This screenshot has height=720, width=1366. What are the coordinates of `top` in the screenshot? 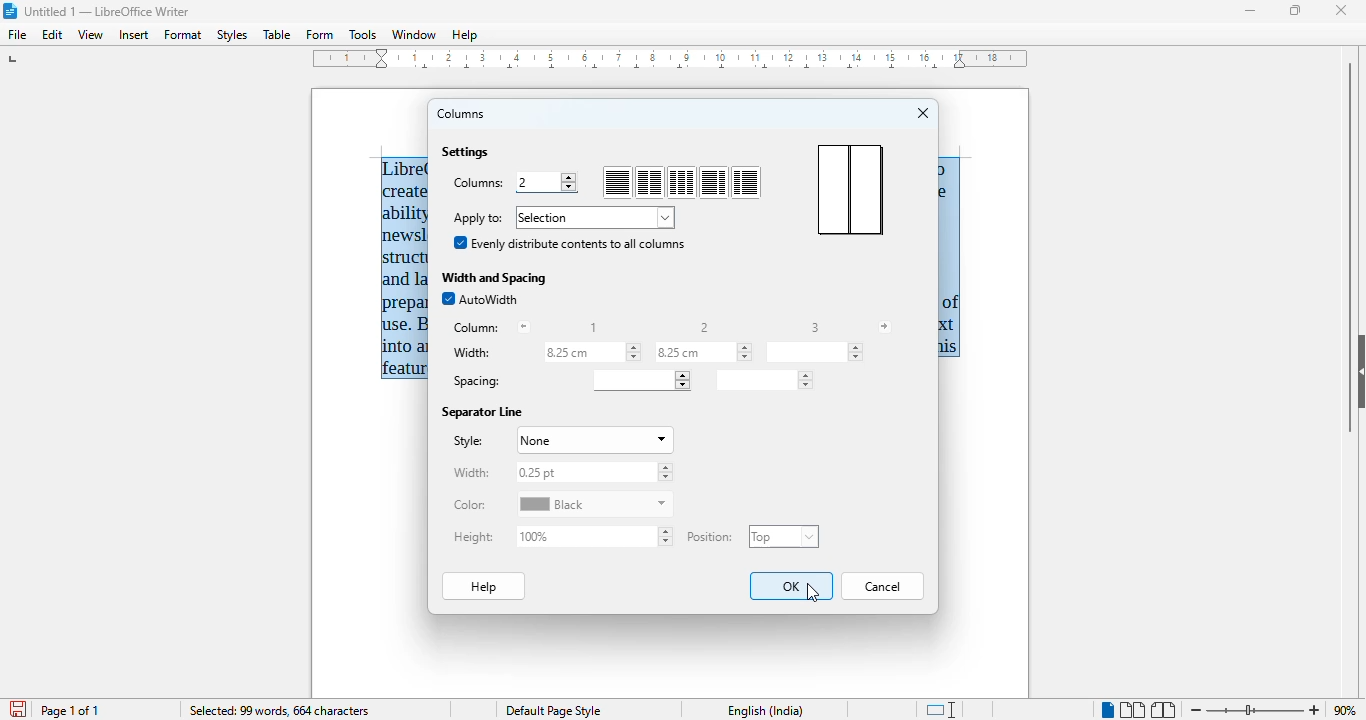 It's located at (784, 536).